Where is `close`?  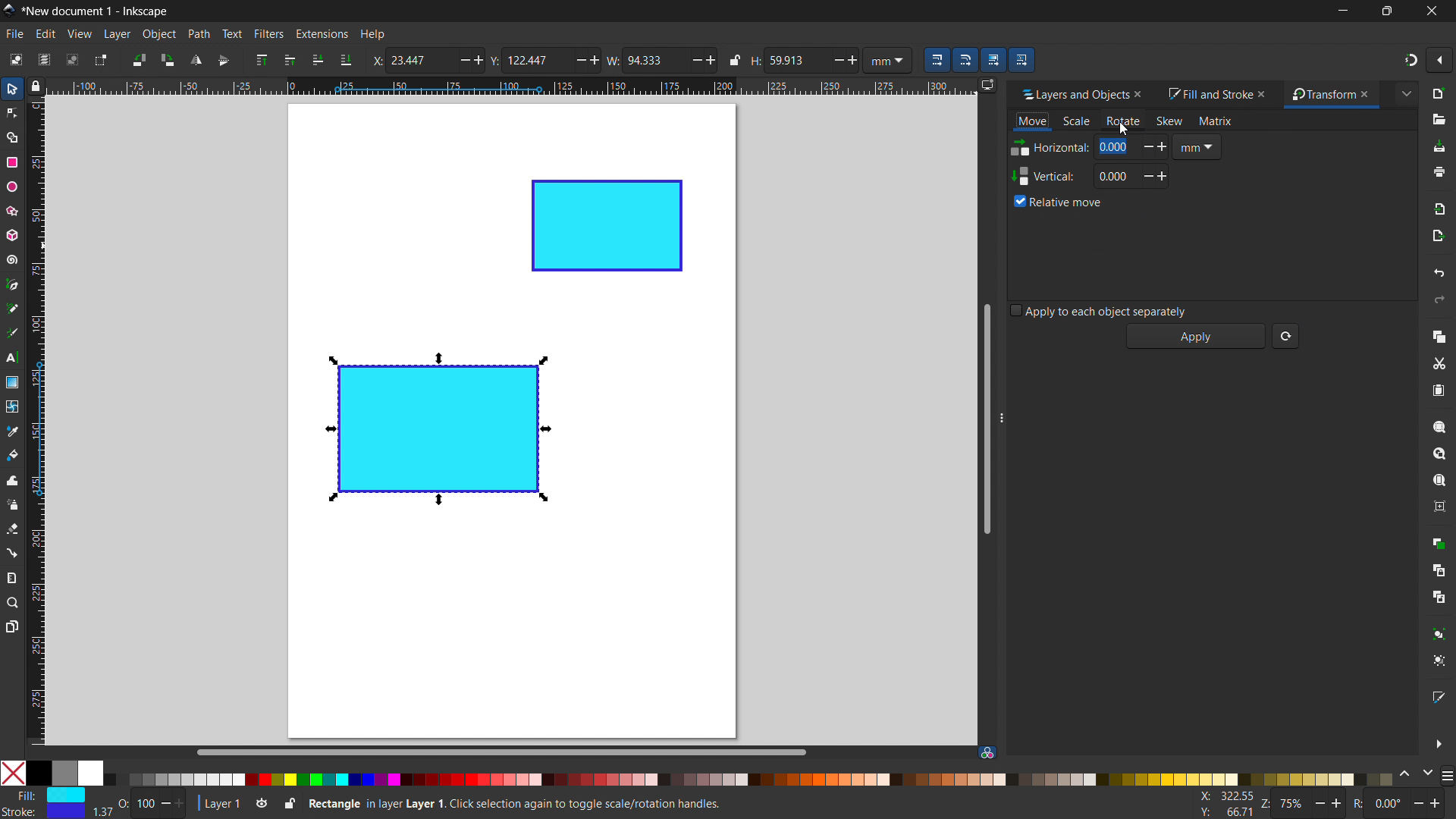
close is located at coordinates (1144, 94).